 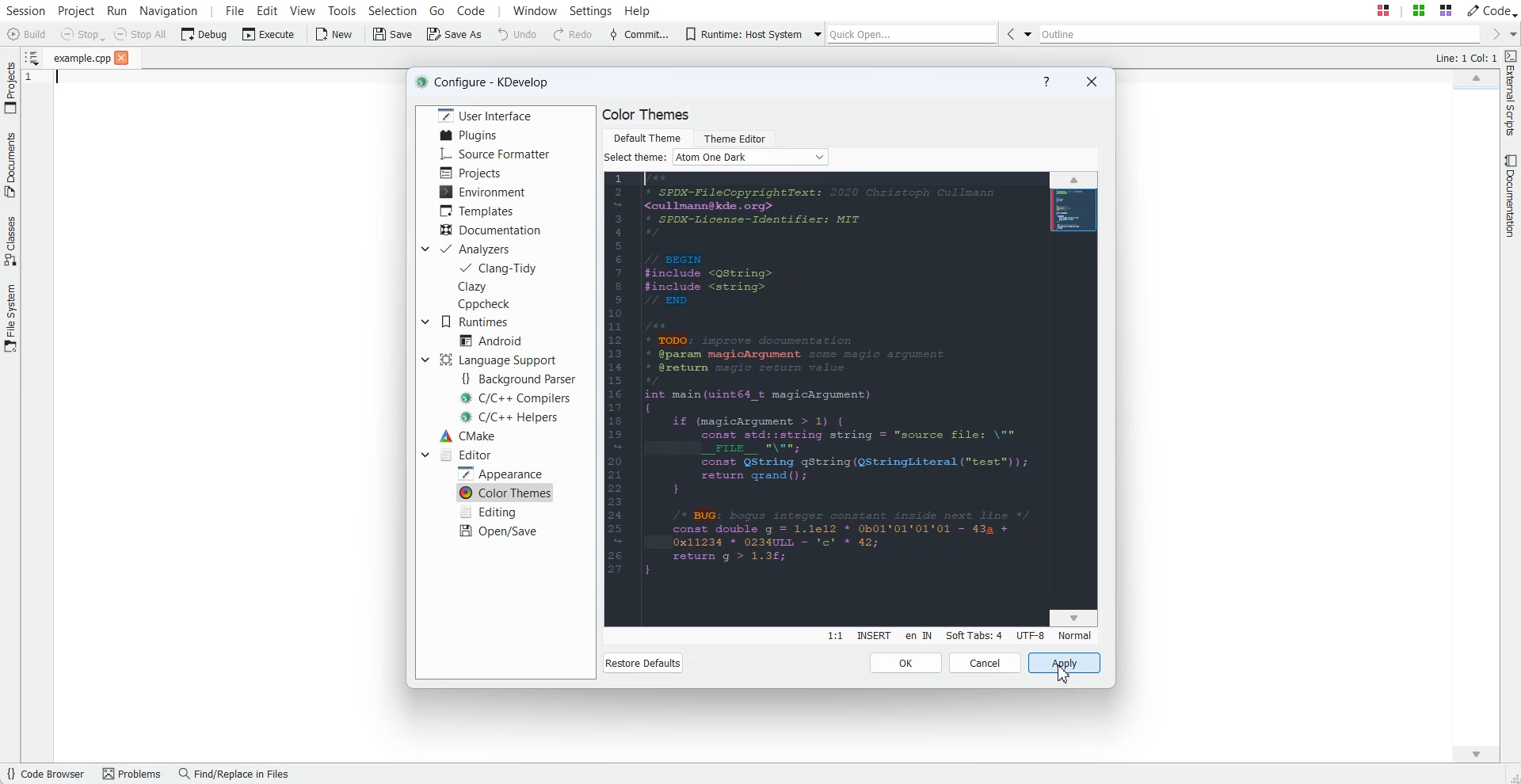 What do you see at coordinates (506, 493) in the screenshot?
I see `Color Themes selected` at bounding box center [506, 493].